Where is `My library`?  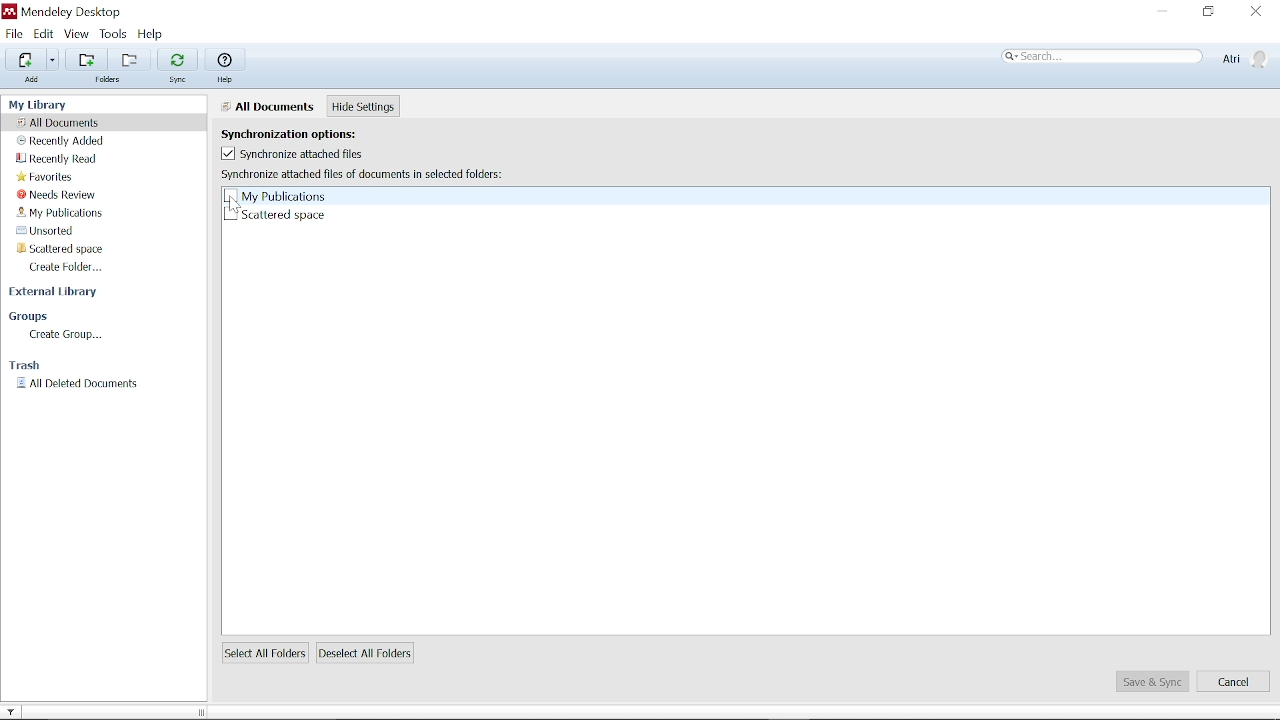 My library is located at coordinates (42, 103).